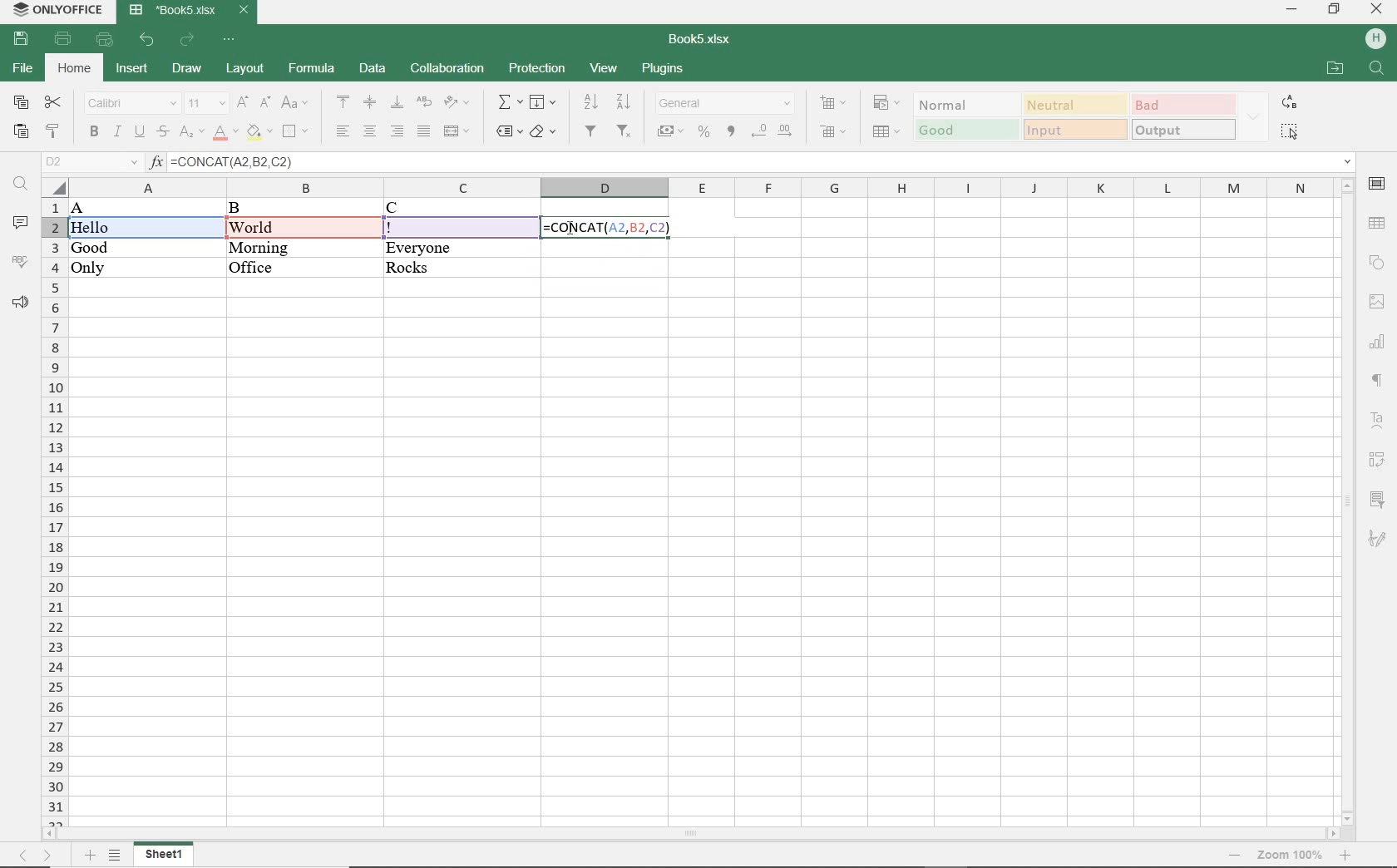 The image size is (1397, 868). I want to click on FONT COLOR, so click(225, 136).